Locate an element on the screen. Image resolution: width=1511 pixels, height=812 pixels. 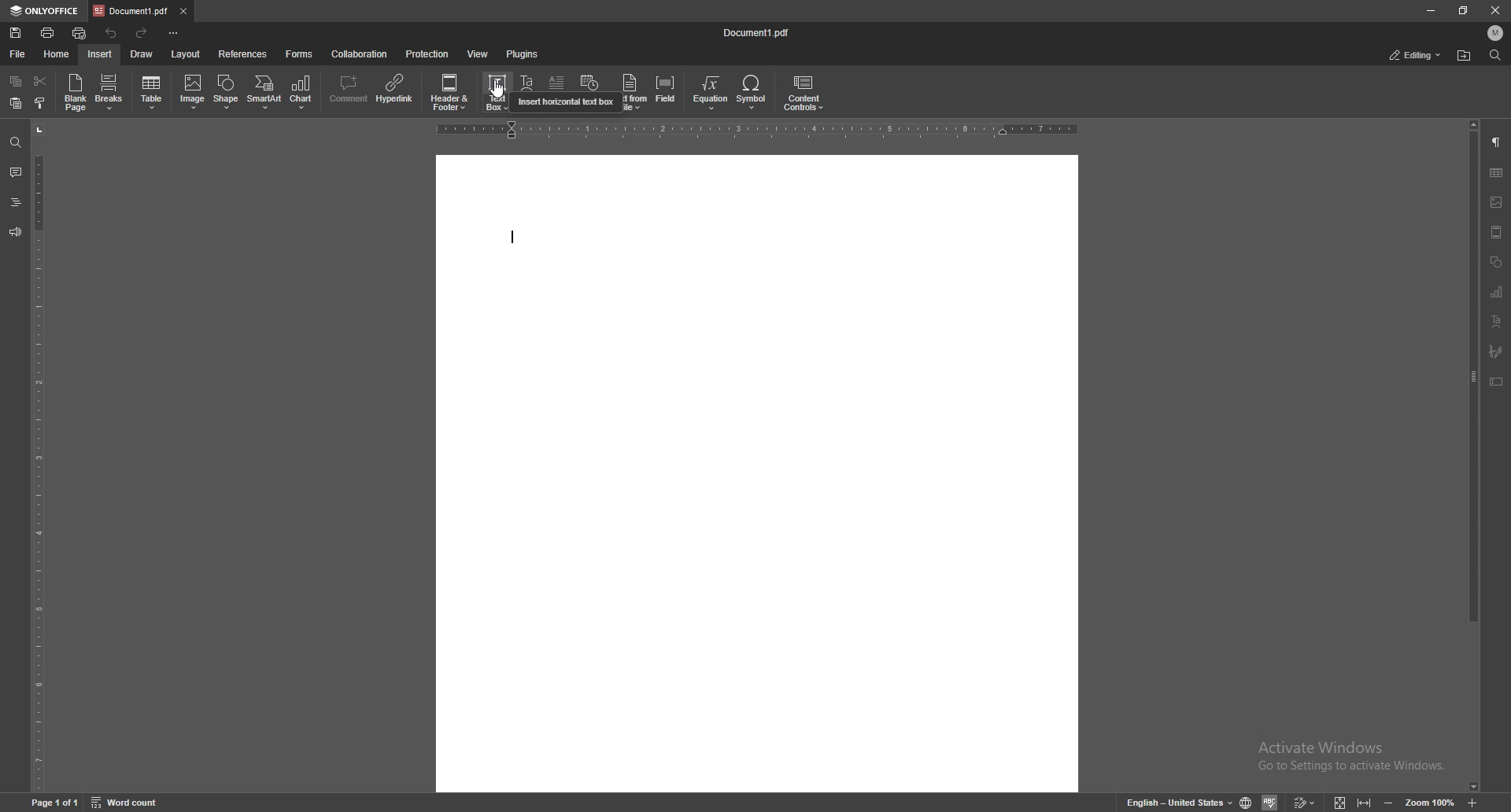
header and footer is located at coordinates (453, 91).